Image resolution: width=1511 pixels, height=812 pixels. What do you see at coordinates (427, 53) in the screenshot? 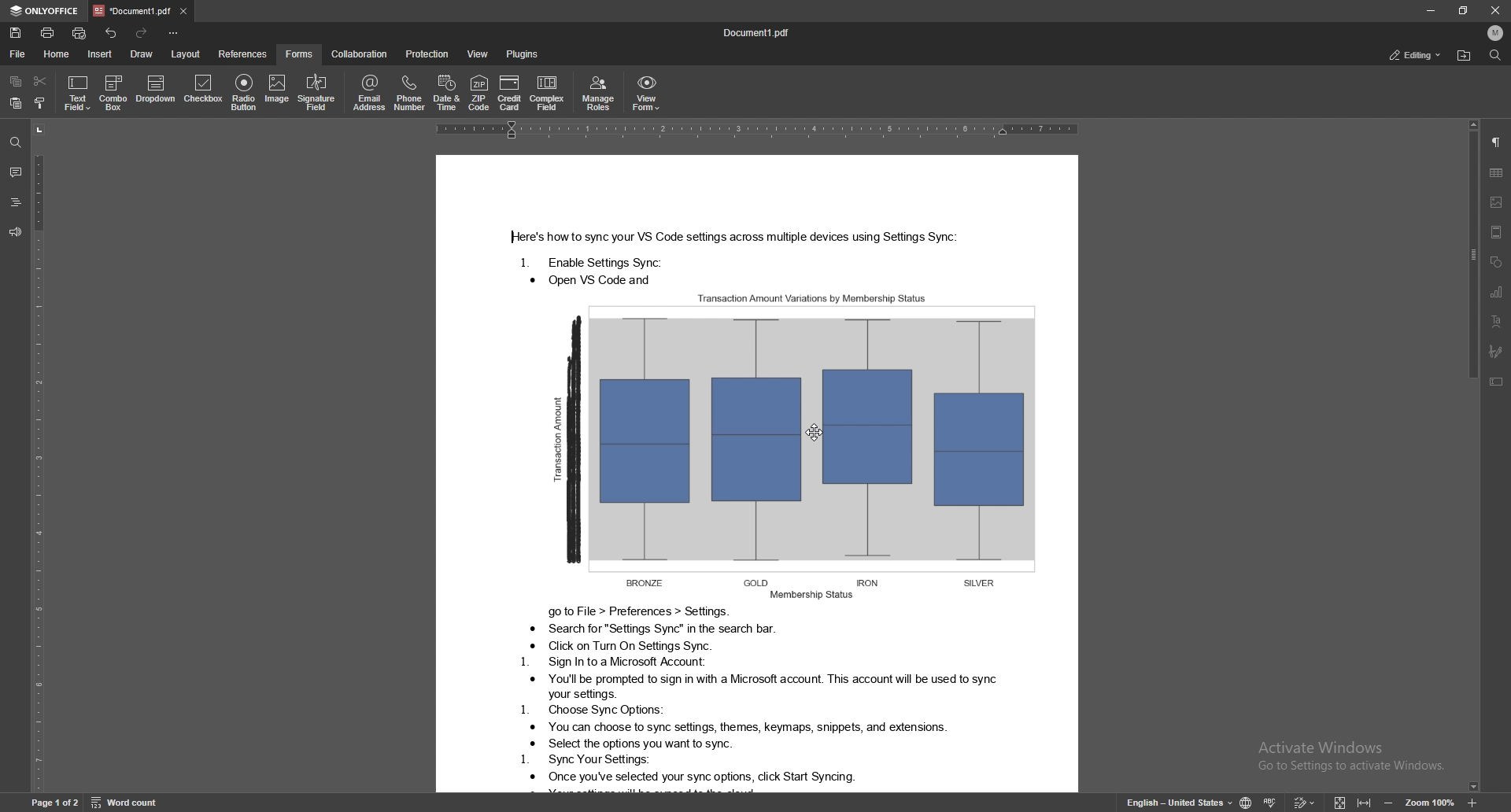
I see `protection` at bounding box center [427, 53].